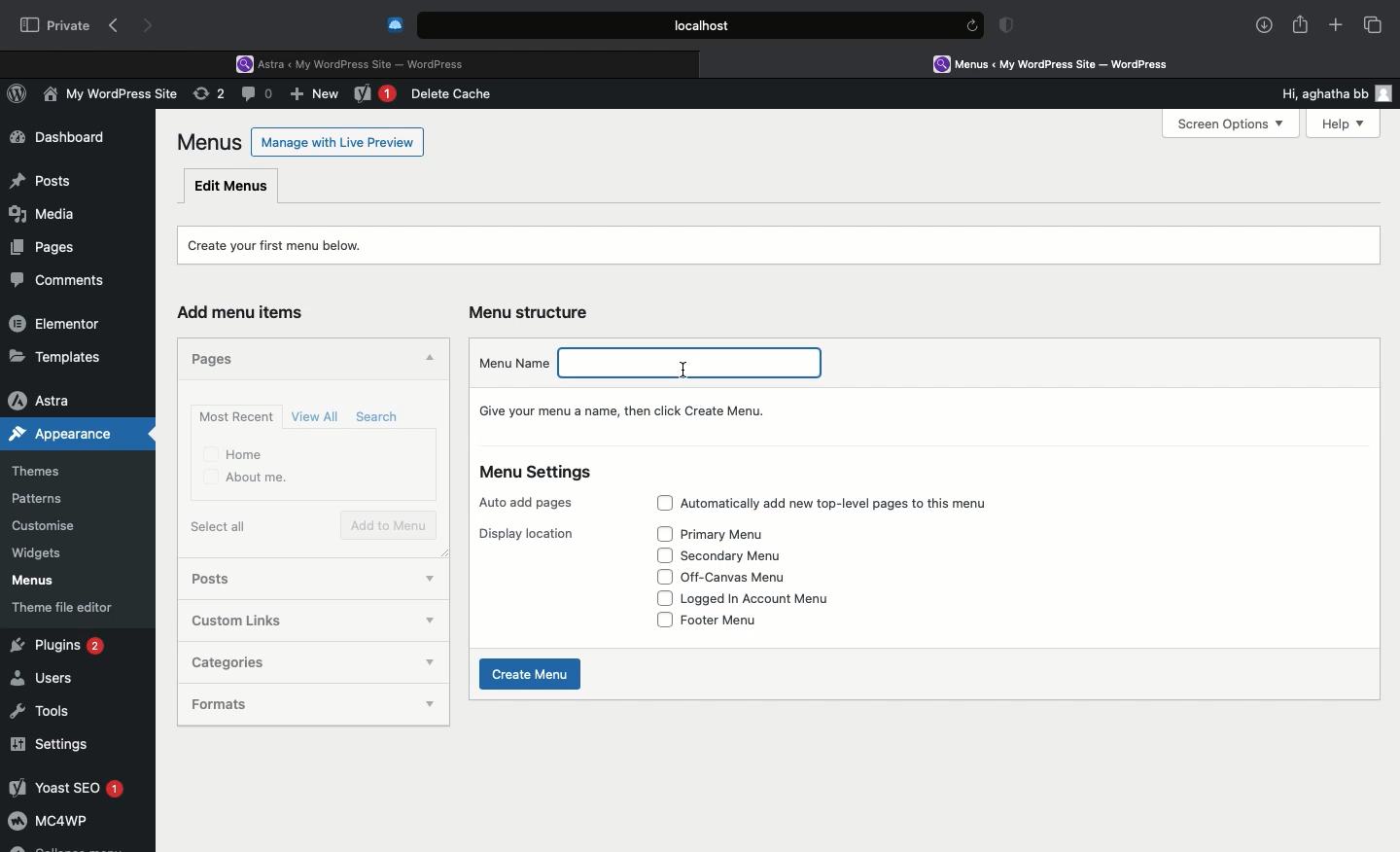 This screenshot has height=852, width=1400. What do you see at coordinates (736, 620) in the screenshot?
I see `Footer menu` at bounding box center [736, 620].